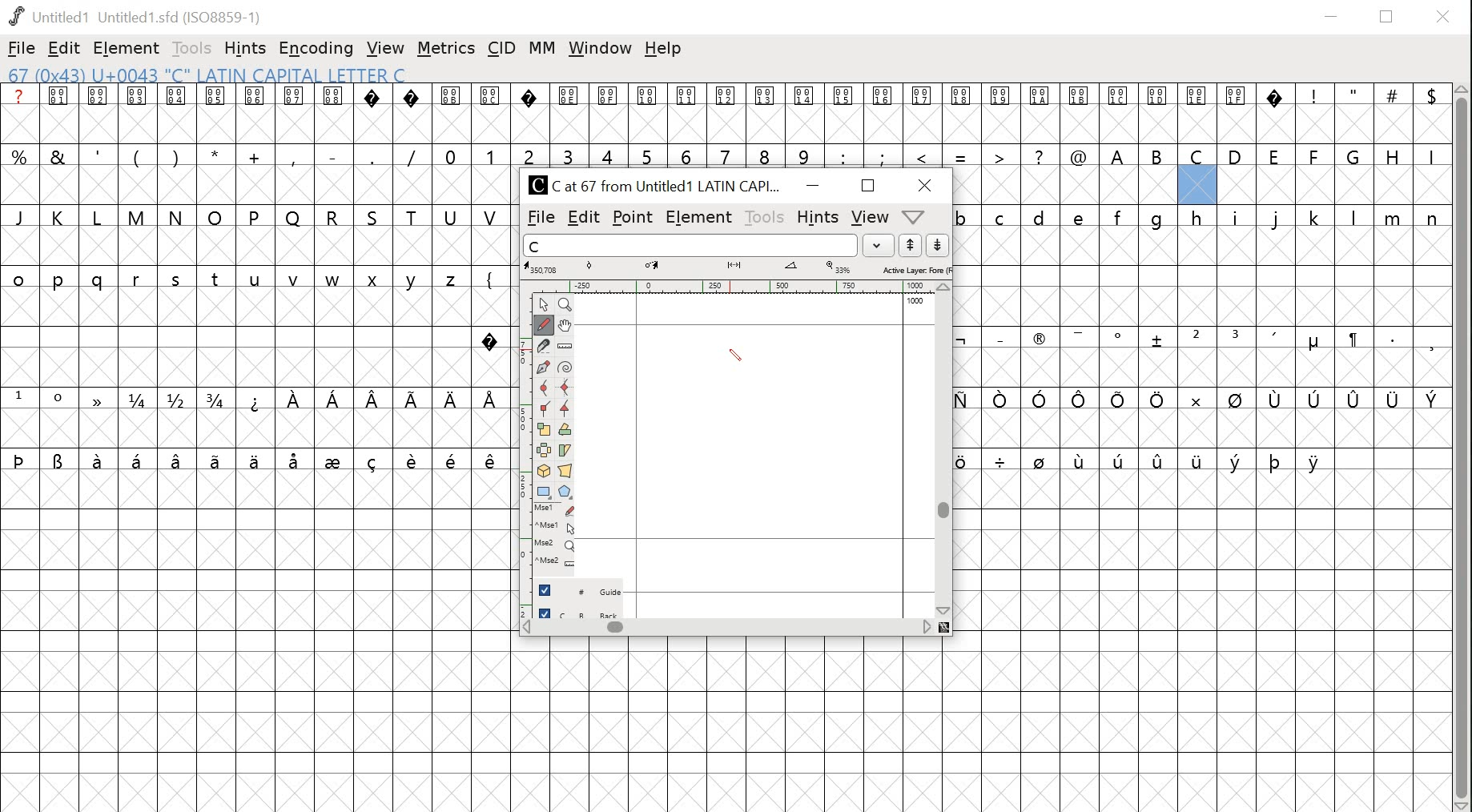 The image size is (1472, 812). I want to click on pen, so click(546, 368).